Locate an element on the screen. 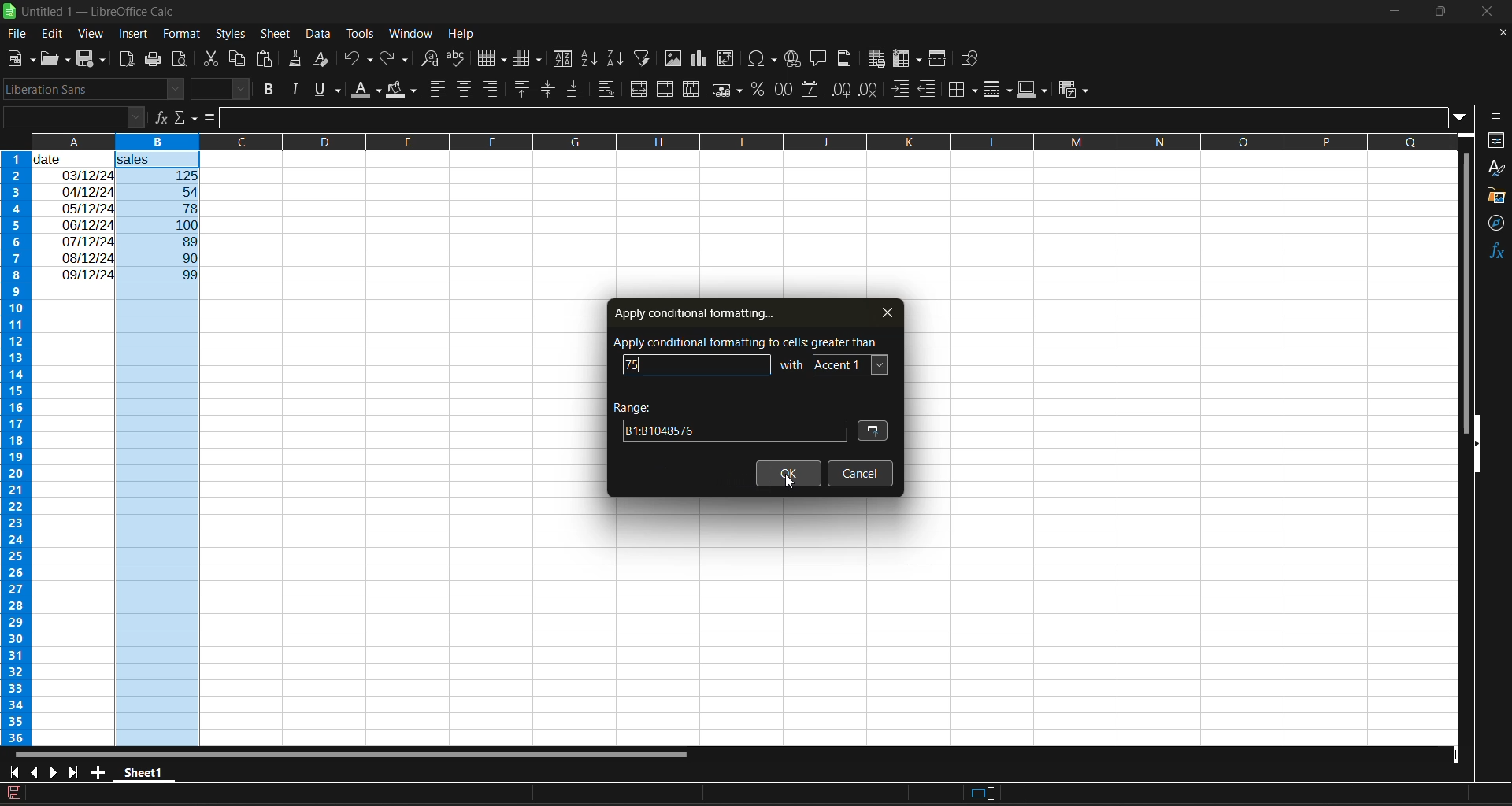 This screenshot has height=806, width=1512. center vertically is located at coordinates (548, 90).